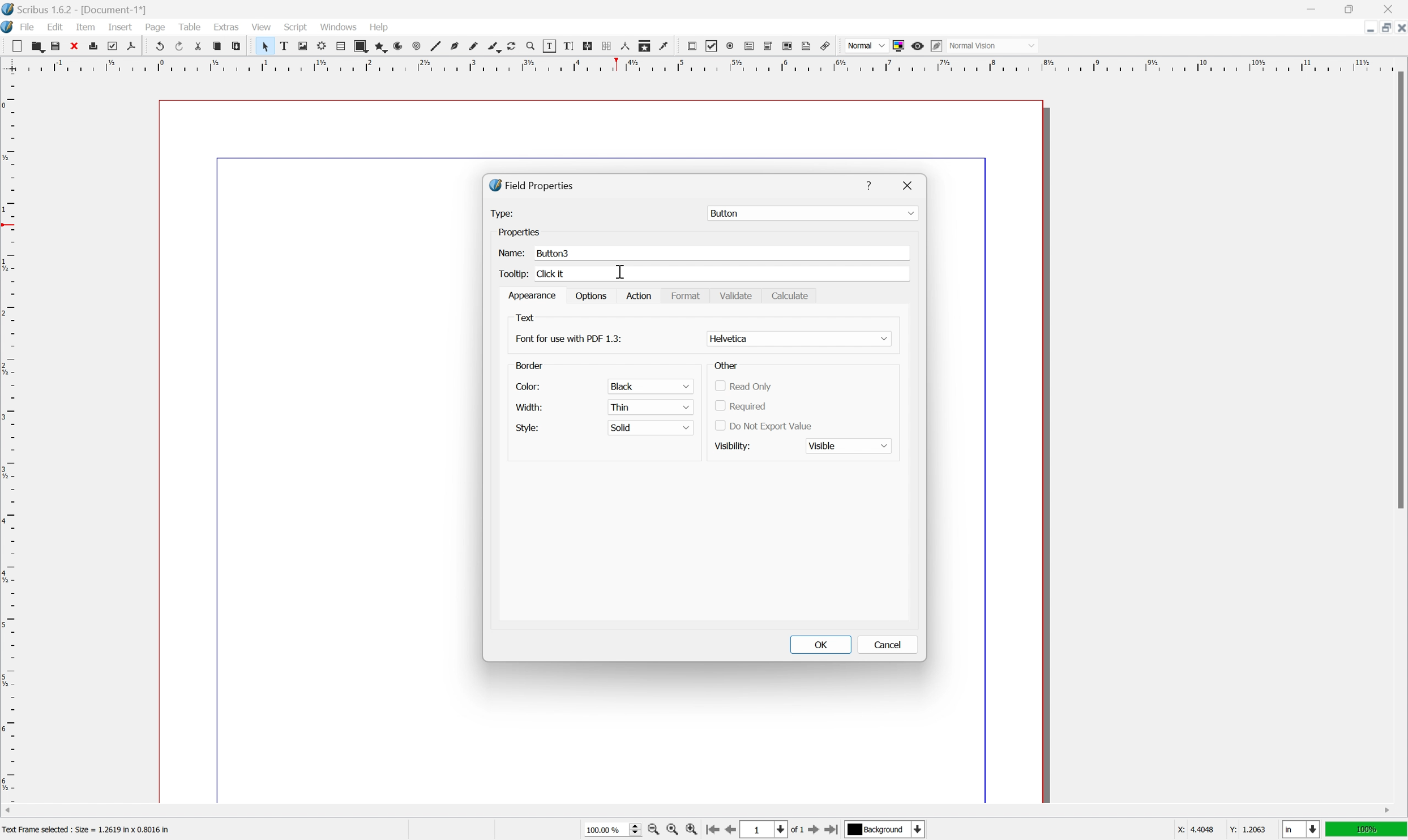 The height and width of the screenshot is (840, 1408). Describe the element at coordinates (799, 337) in the screenshot. I see `Helvatika` at that location.